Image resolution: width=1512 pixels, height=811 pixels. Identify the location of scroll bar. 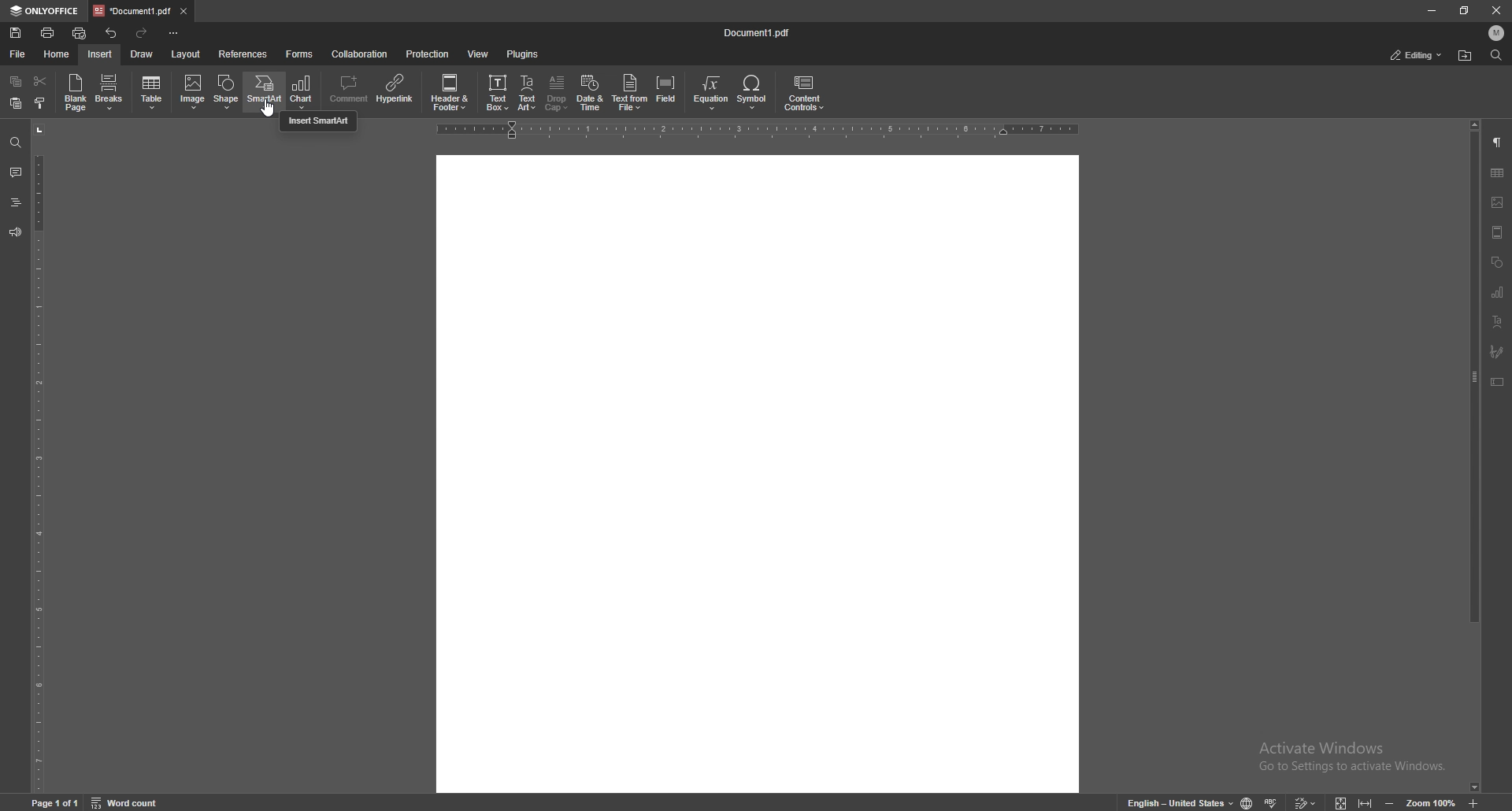
(1475, 457).